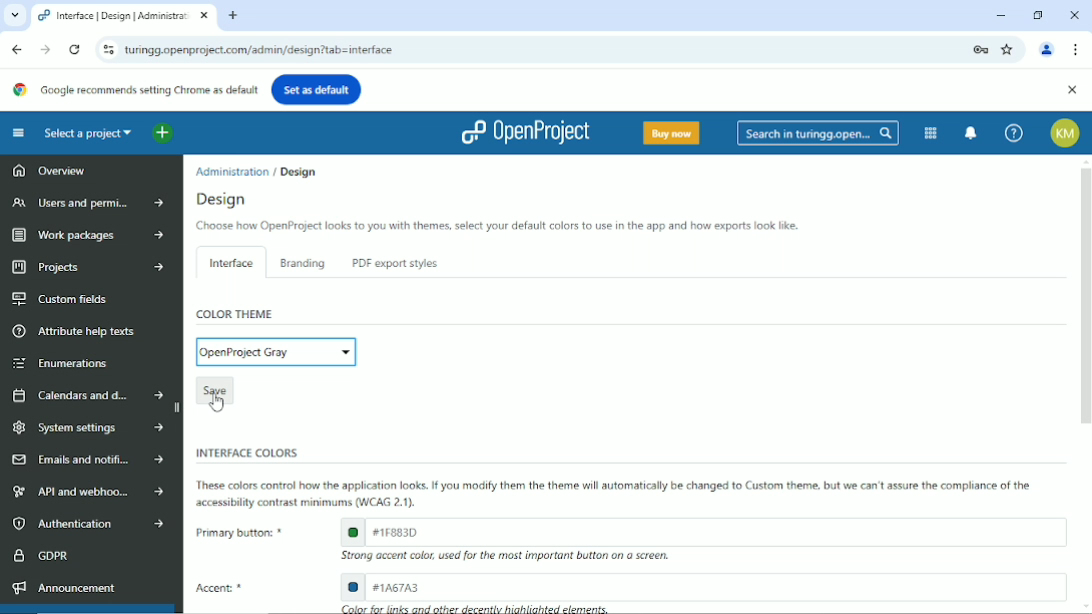 The height and width of the screenshot is (614, 1092). What do you see at coordinates (703, 586) in the screenshot?
I see `accent` at bounding box center [703, 586].